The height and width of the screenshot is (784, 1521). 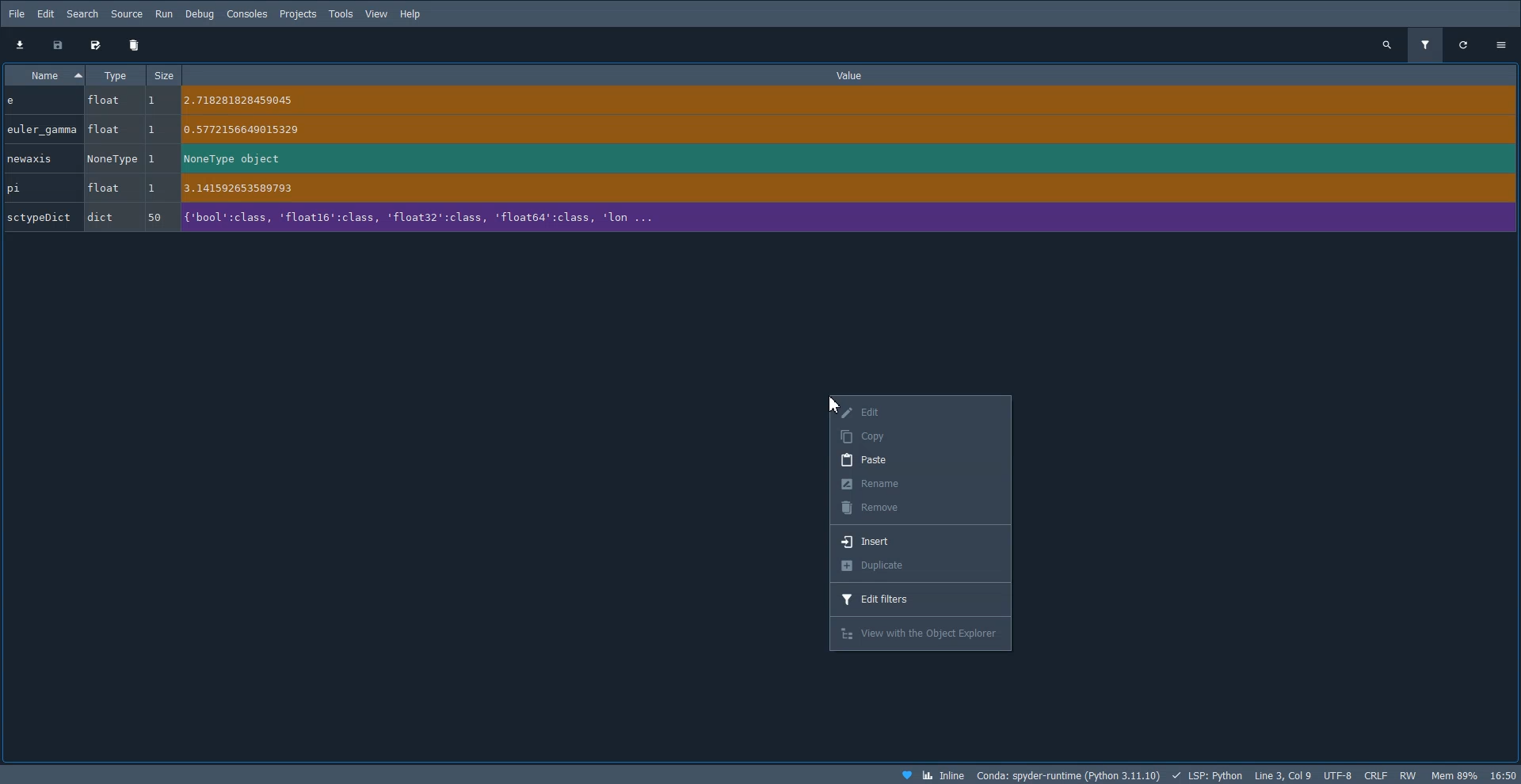 What do you see at coordinates (920, 567) in the screenshot?
I see `Duplicate` at bounding box center [920, 567].